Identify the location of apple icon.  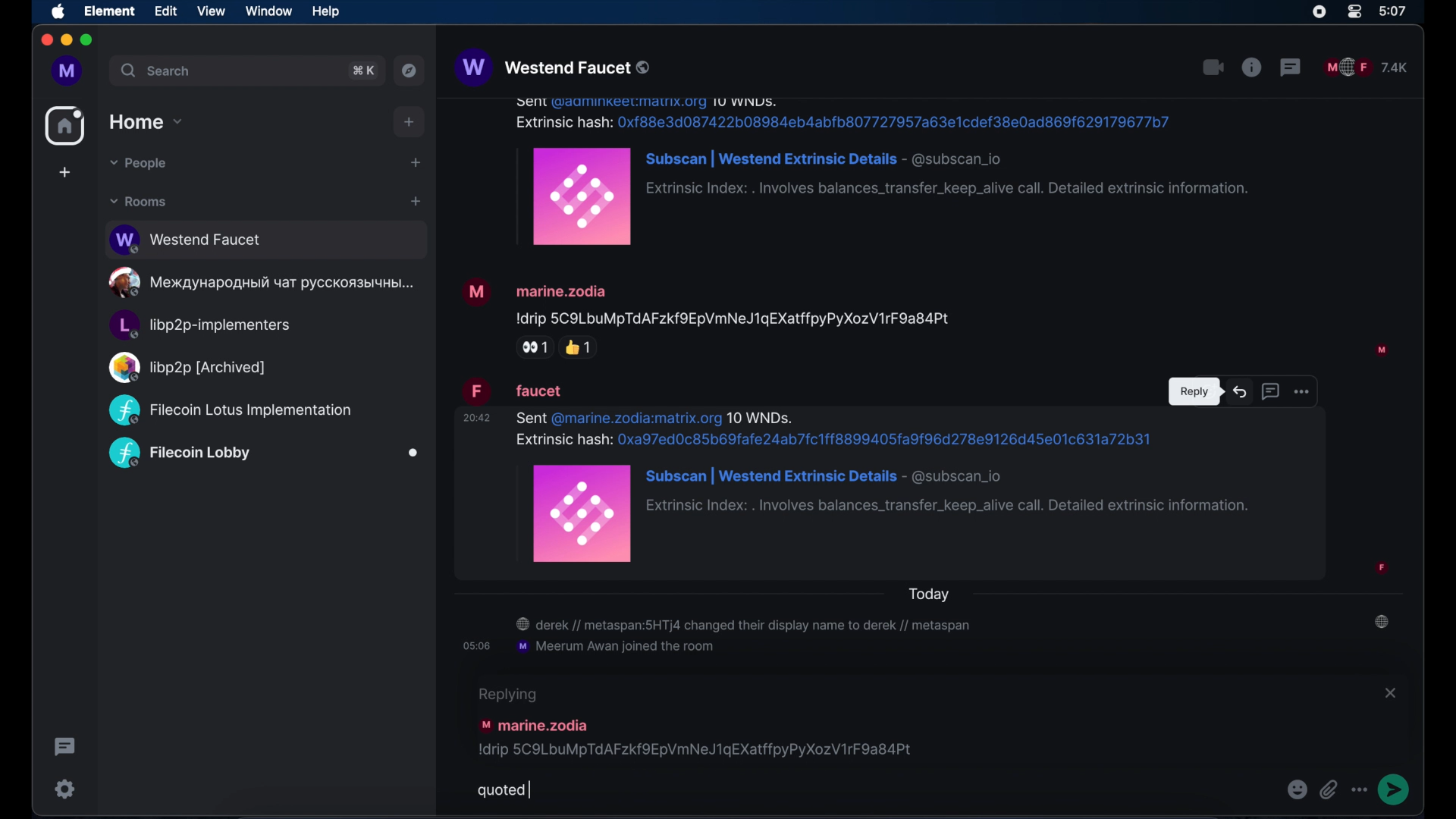
(59, 13).